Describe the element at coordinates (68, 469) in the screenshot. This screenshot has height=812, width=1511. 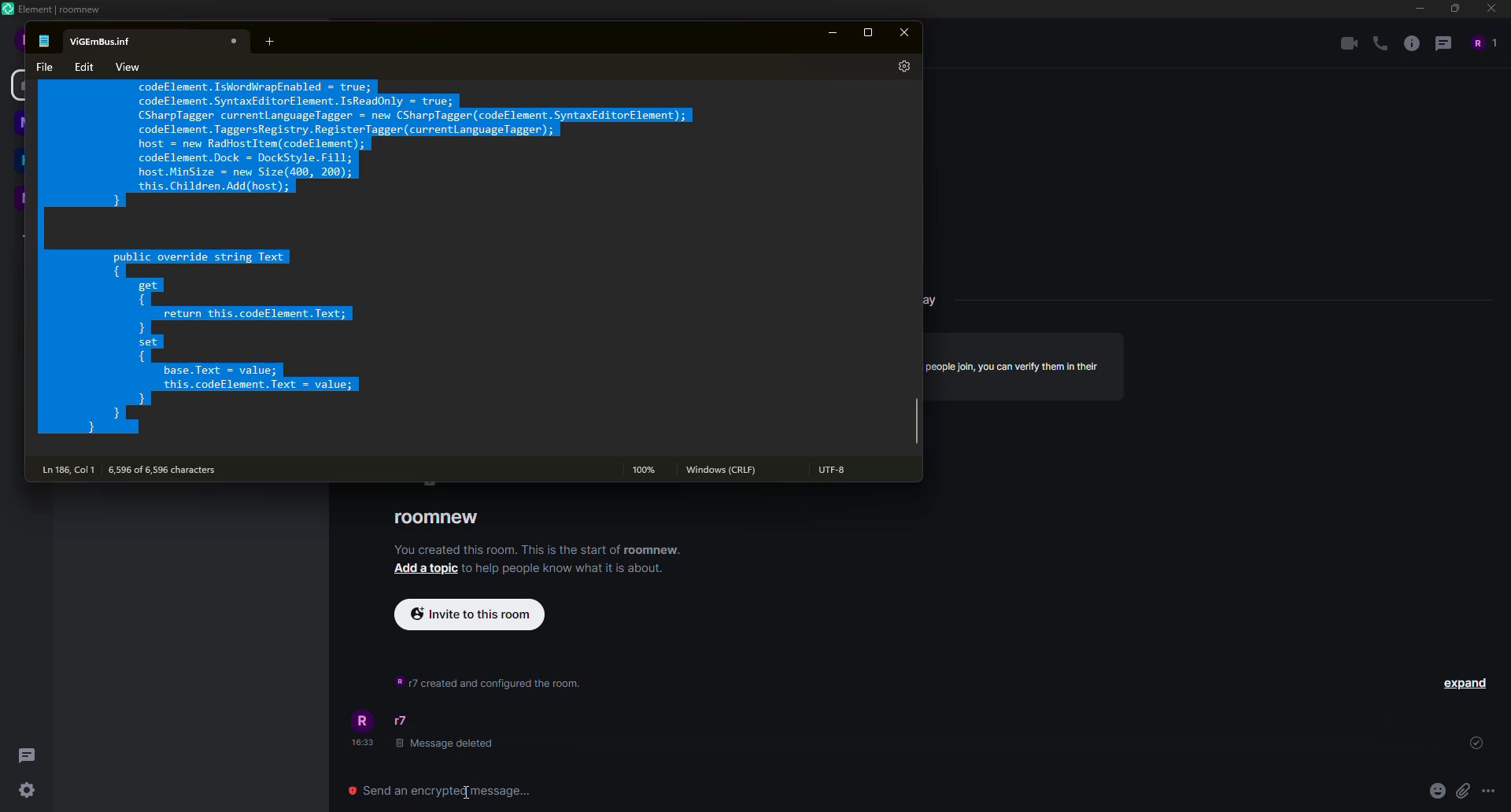
I see `line` at that location.